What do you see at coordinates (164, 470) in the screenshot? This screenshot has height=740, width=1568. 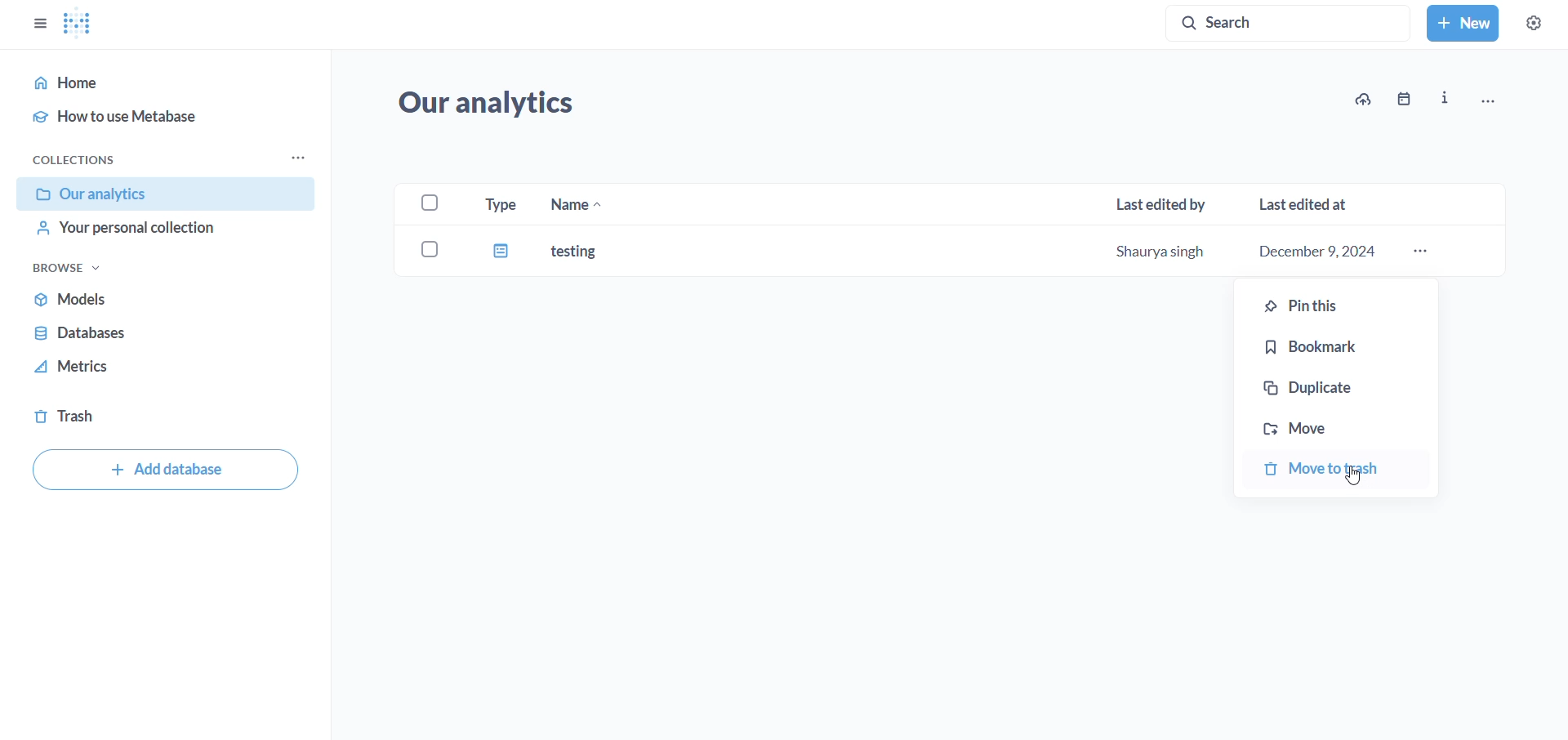 I see `add database` at bounding box center [164, 470].